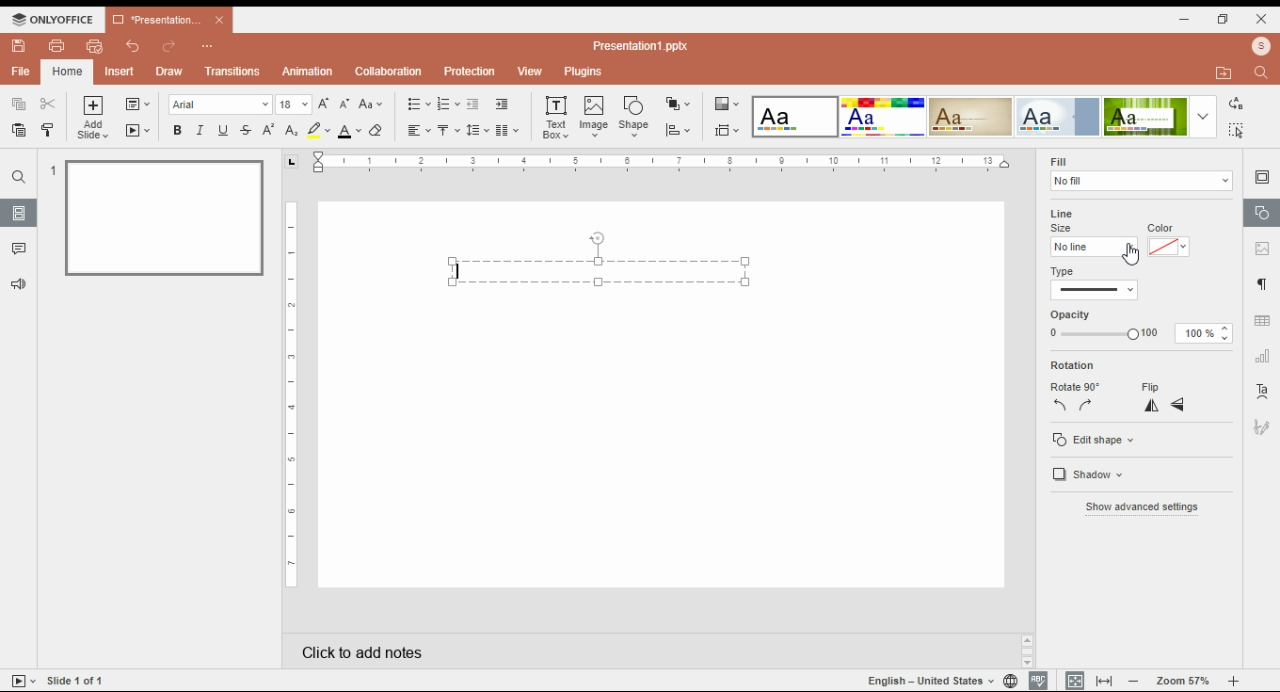 Image resolution: width=1280 pixels, height=692 pixels. Describe the element at coordinates (1094, 247) in the screenshot. I see `line size` at that location.